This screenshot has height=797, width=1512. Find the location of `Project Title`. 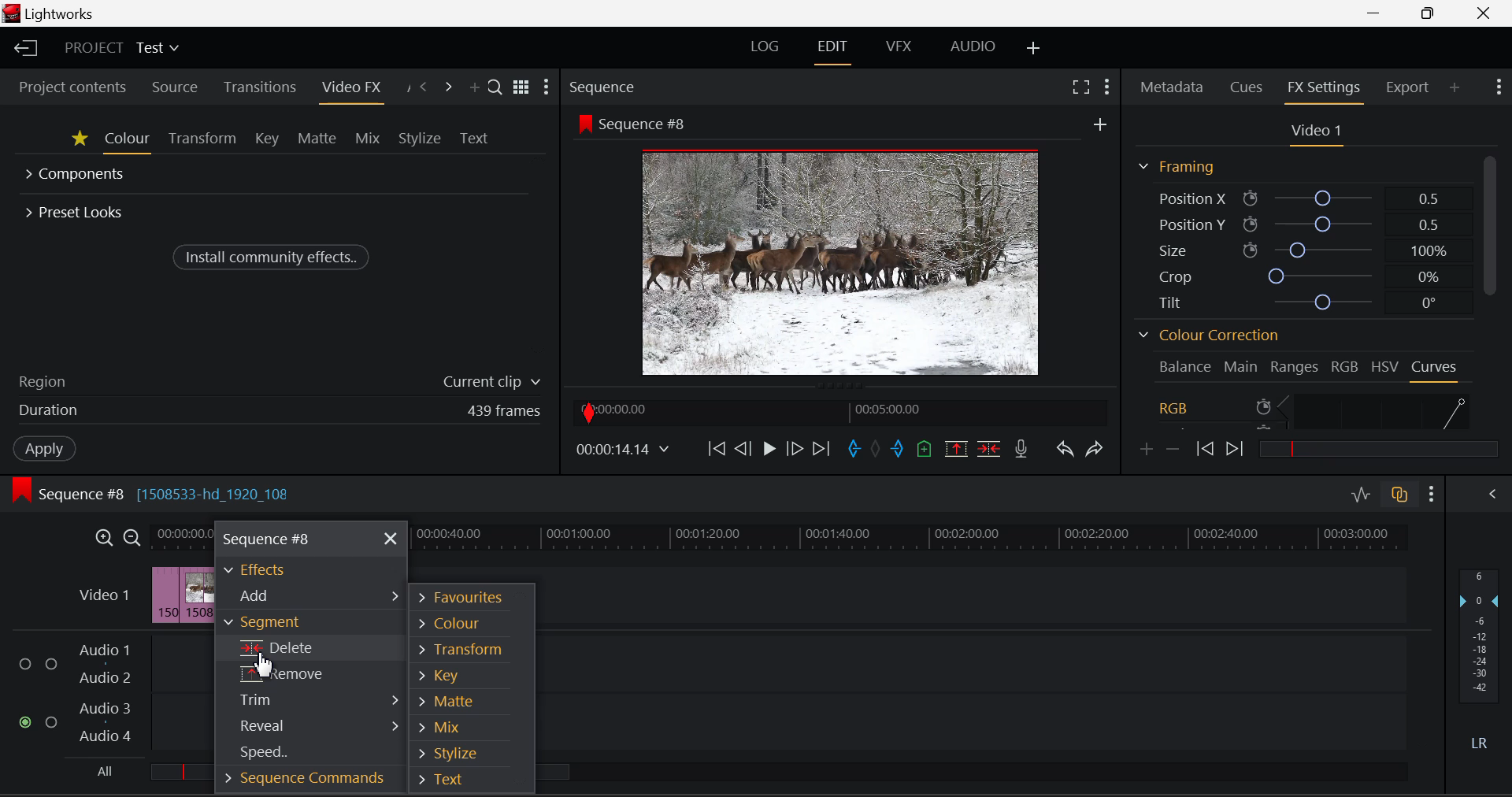

Project Title is located at coordinates (121, 49).